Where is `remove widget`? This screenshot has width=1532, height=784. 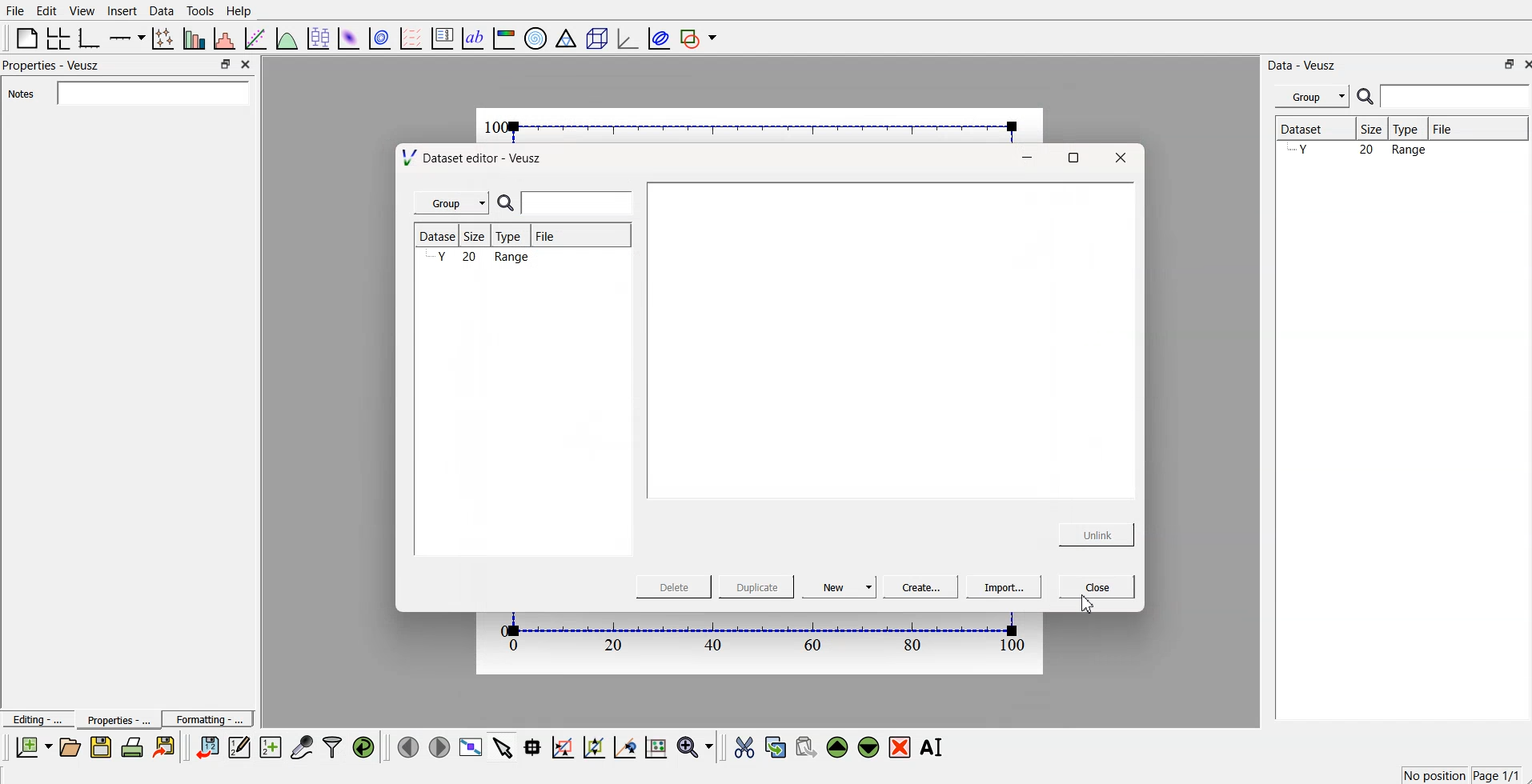 remove widget is located at coordinates (900, 746).